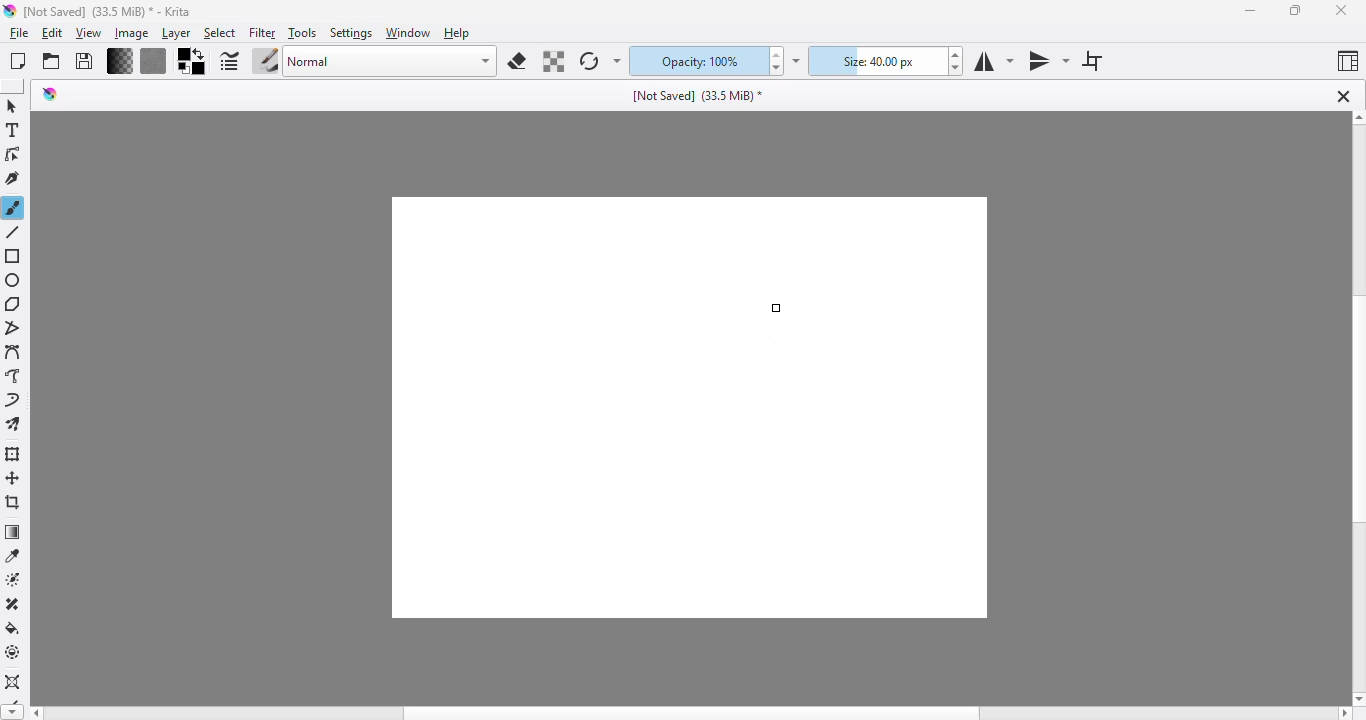 The image size is (1366, 720). I want to click on opacity, so click(696, 62).